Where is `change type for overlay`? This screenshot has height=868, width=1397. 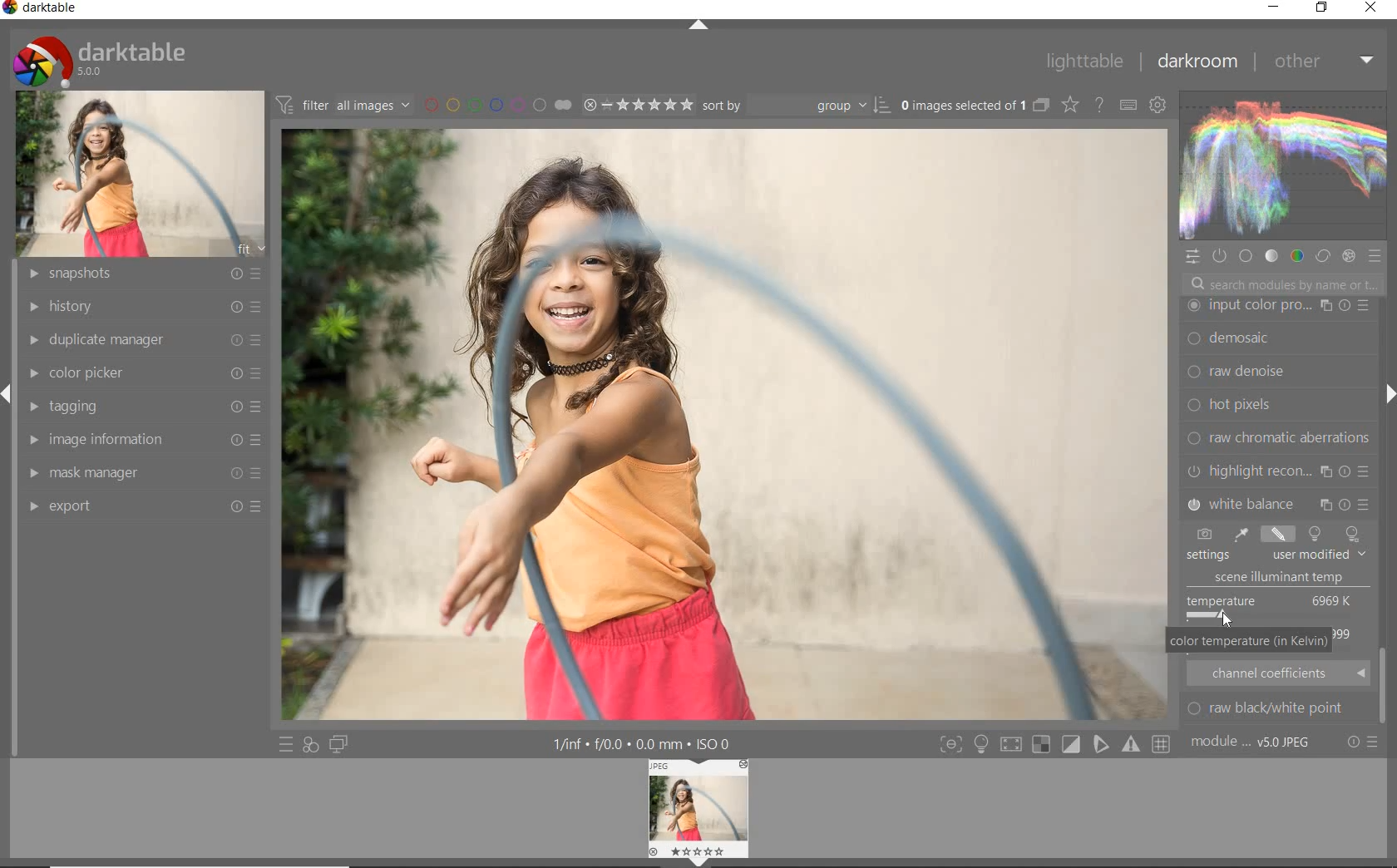
change type for overlay is located at coordinates (1071, 105).